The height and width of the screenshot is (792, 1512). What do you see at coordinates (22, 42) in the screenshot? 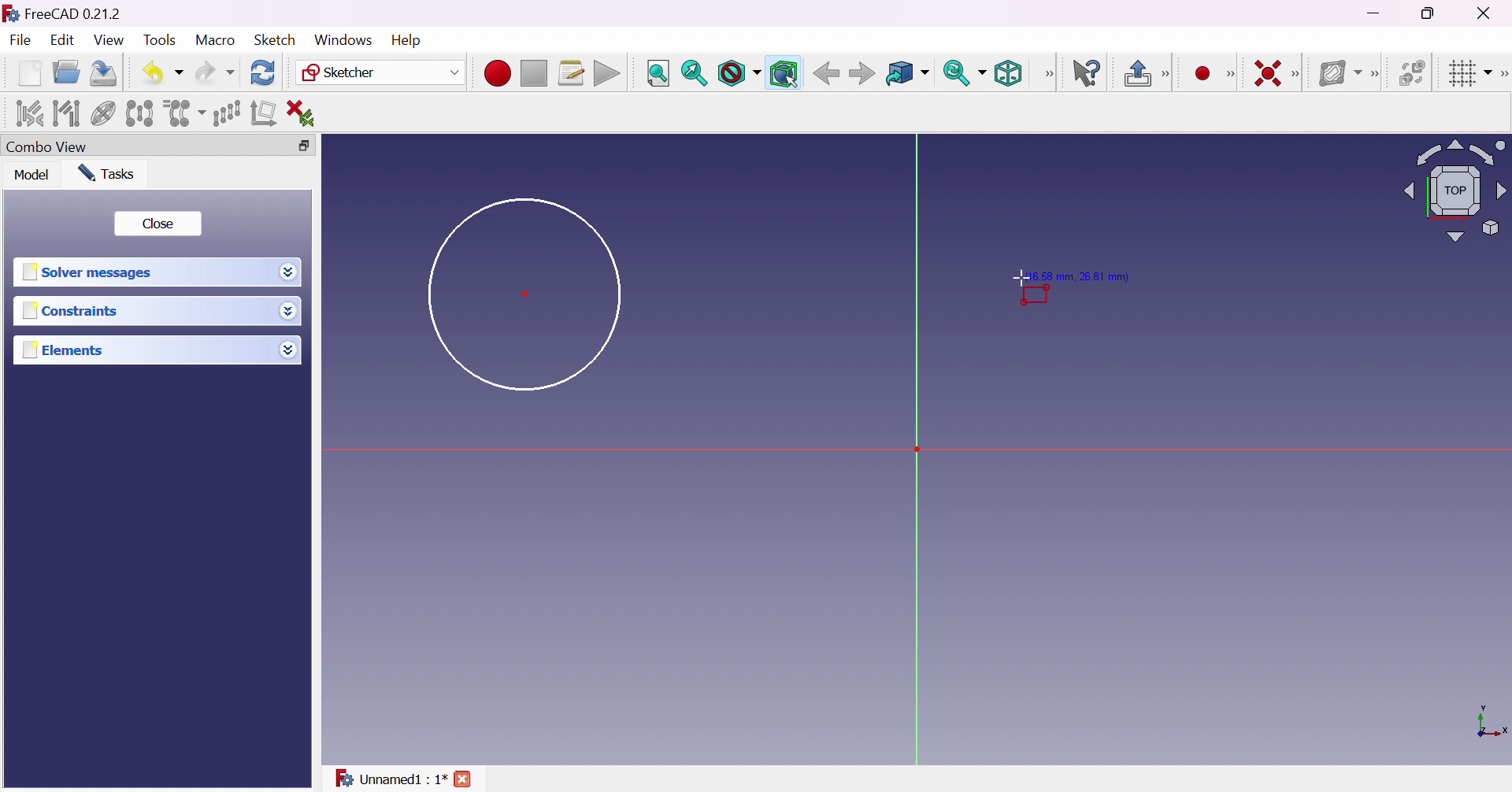
I see `File` at bounding box center [22, 42].